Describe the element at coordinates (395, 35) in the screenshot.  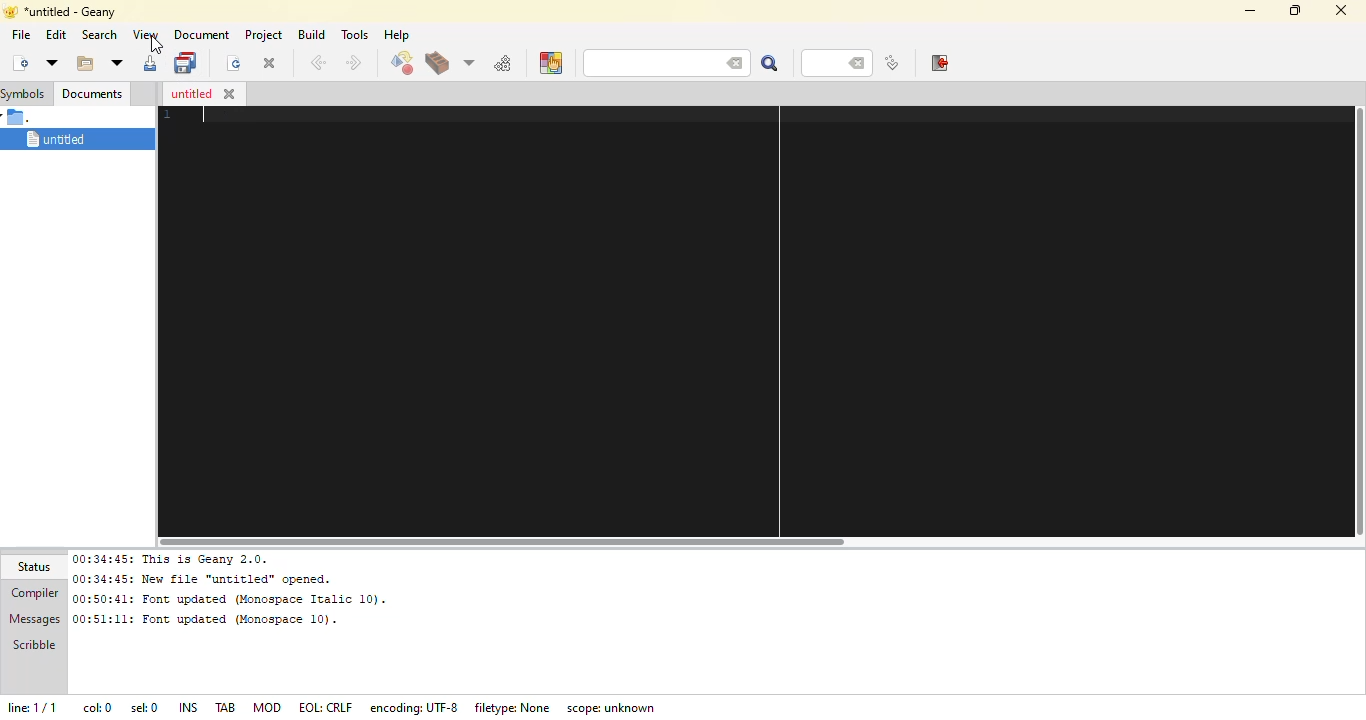
I see `help` at that location.